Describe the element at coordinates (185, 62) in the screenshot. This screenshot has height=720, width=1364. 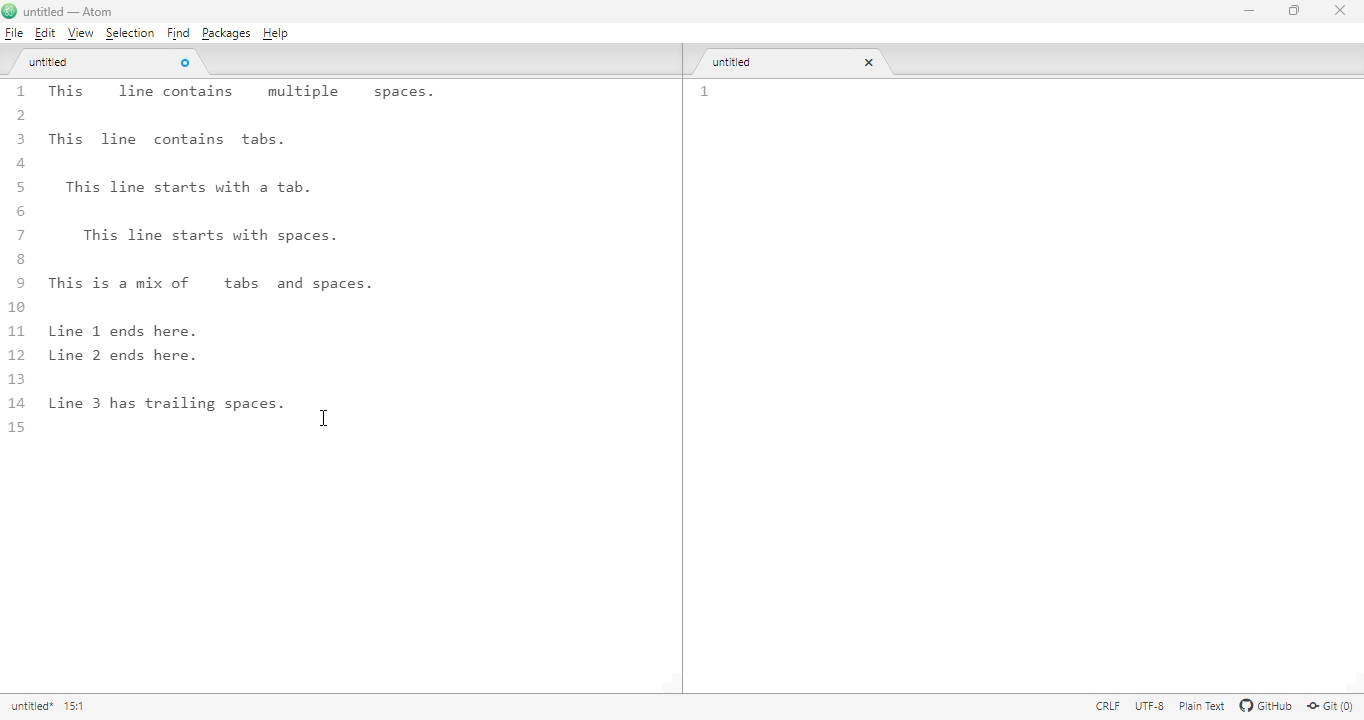
I see `close tab` at that location.